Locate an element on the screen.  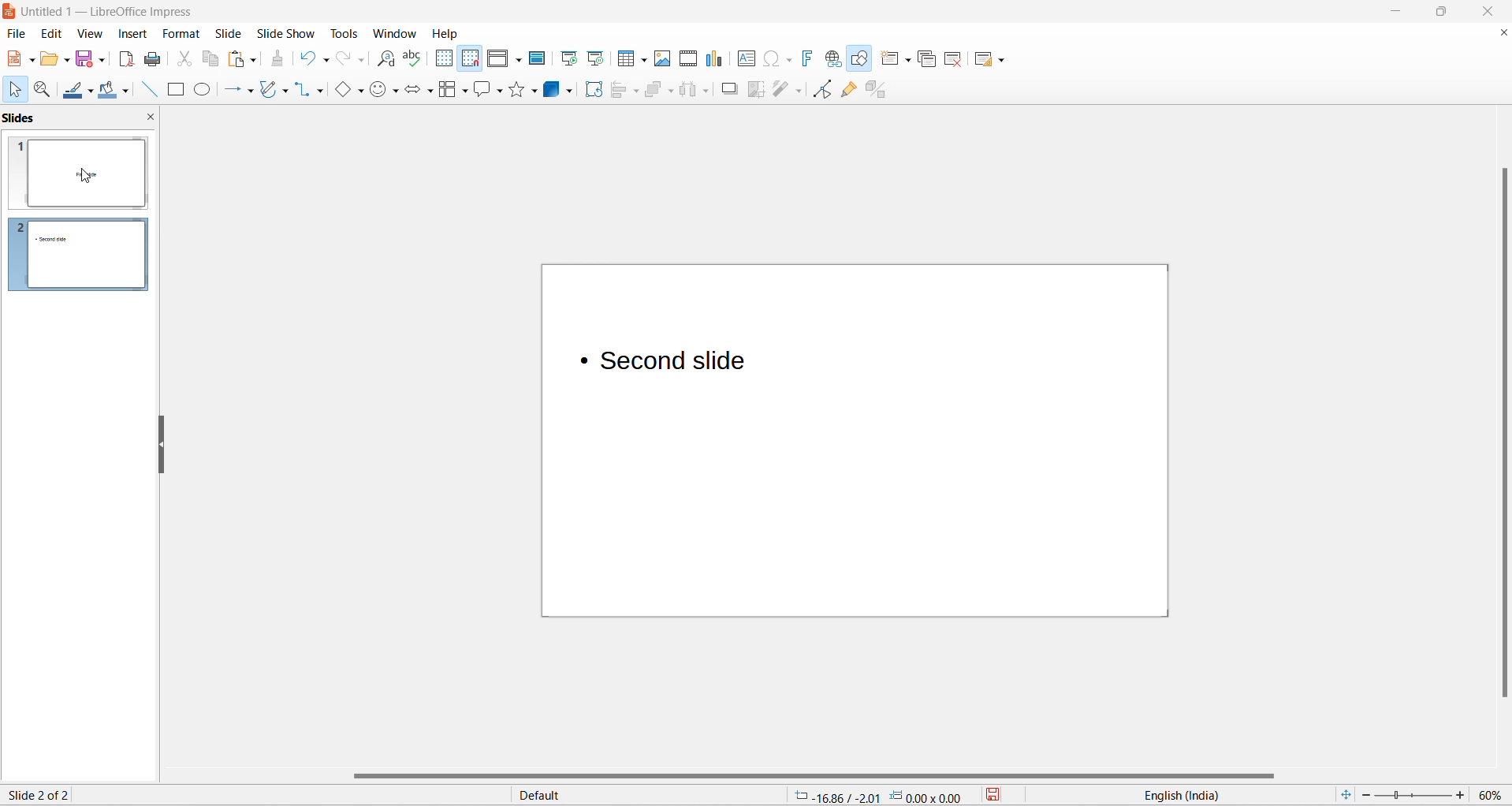
basic shapes option is located at coordinates (359, 91).